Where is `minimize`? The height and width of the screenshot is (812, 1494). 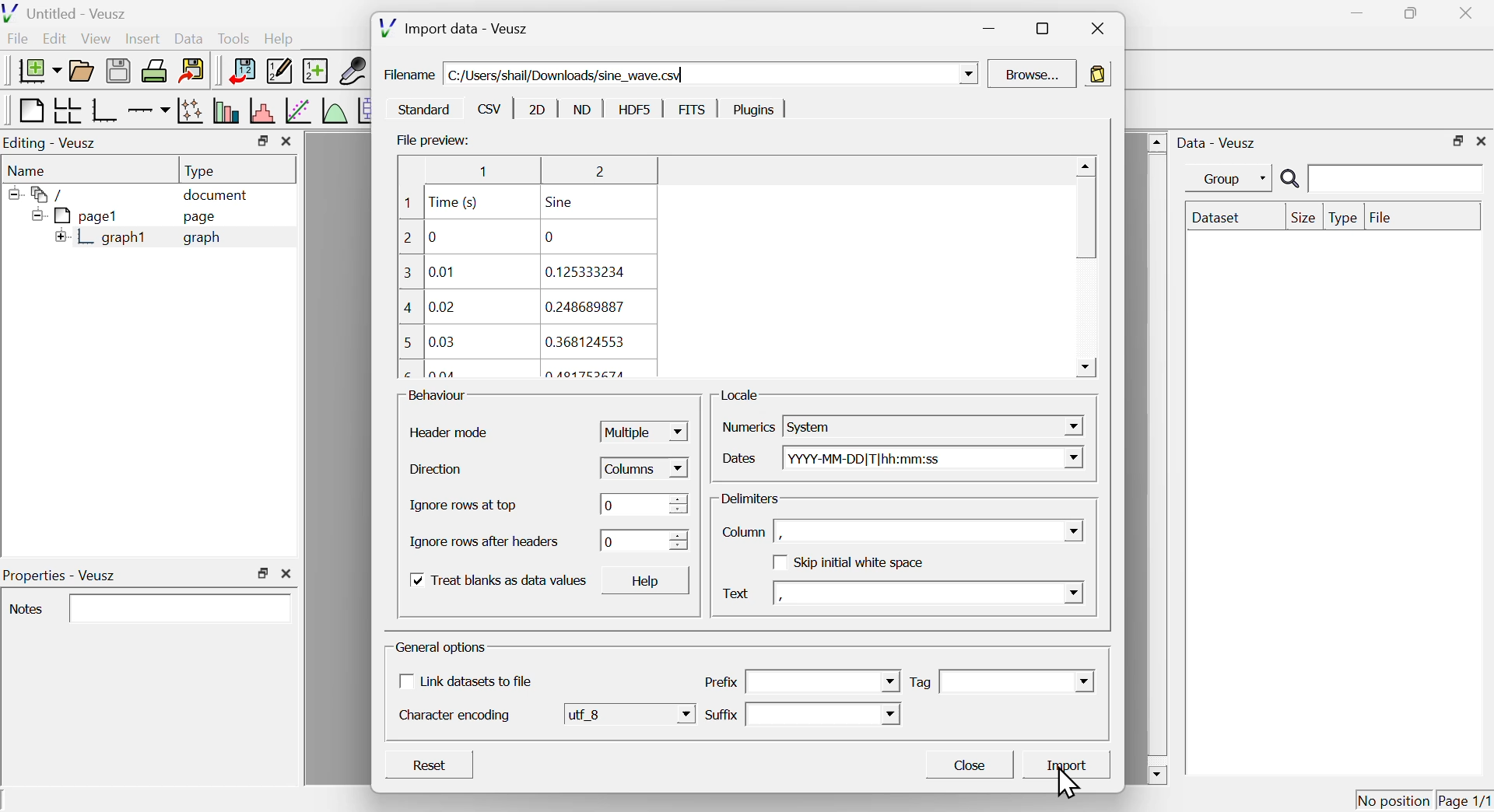
minimize is located at coordinates (987, 31).